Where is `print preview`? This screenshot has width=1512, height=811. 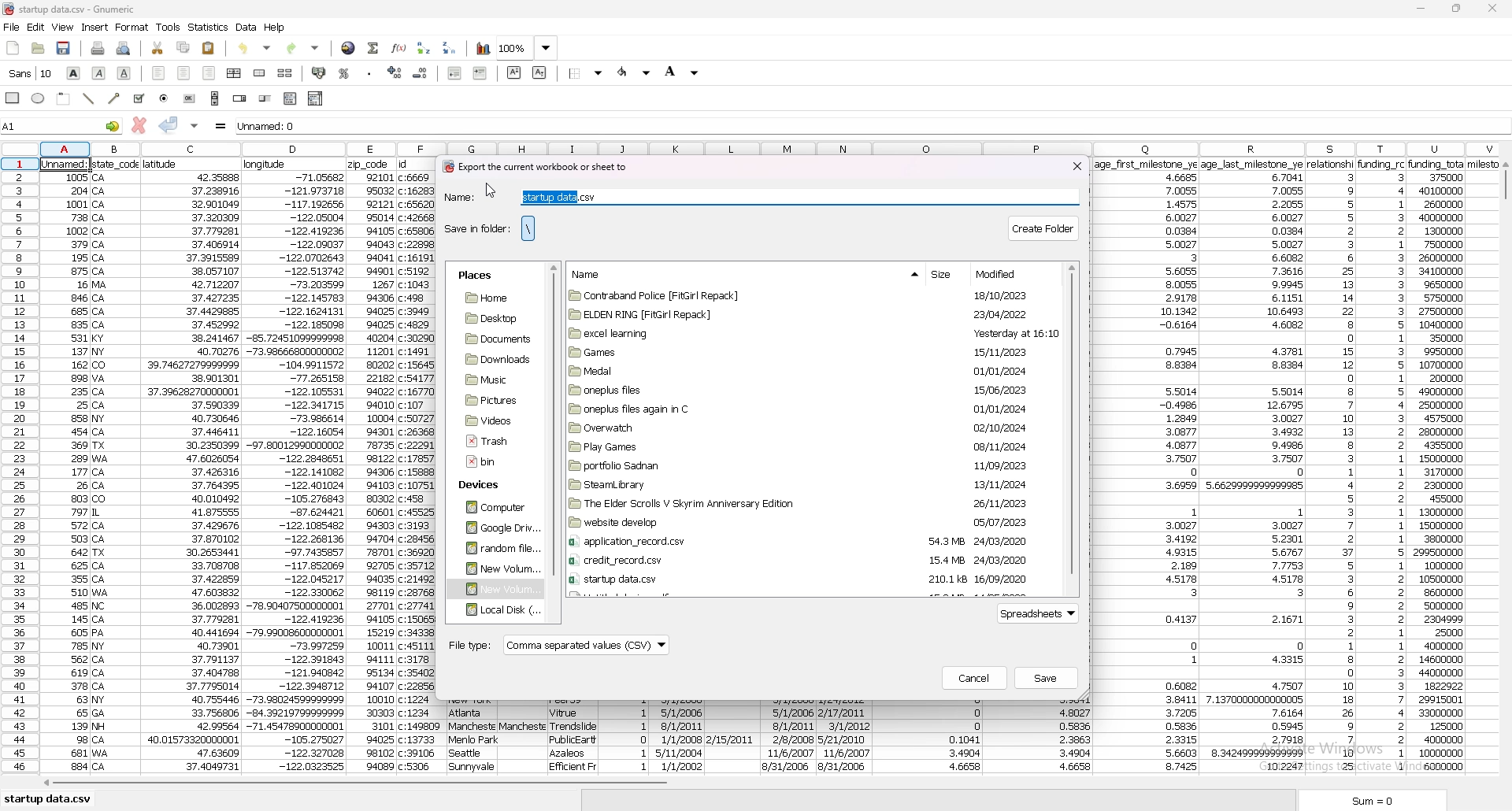
print preview is located at coordinates (124, 49).